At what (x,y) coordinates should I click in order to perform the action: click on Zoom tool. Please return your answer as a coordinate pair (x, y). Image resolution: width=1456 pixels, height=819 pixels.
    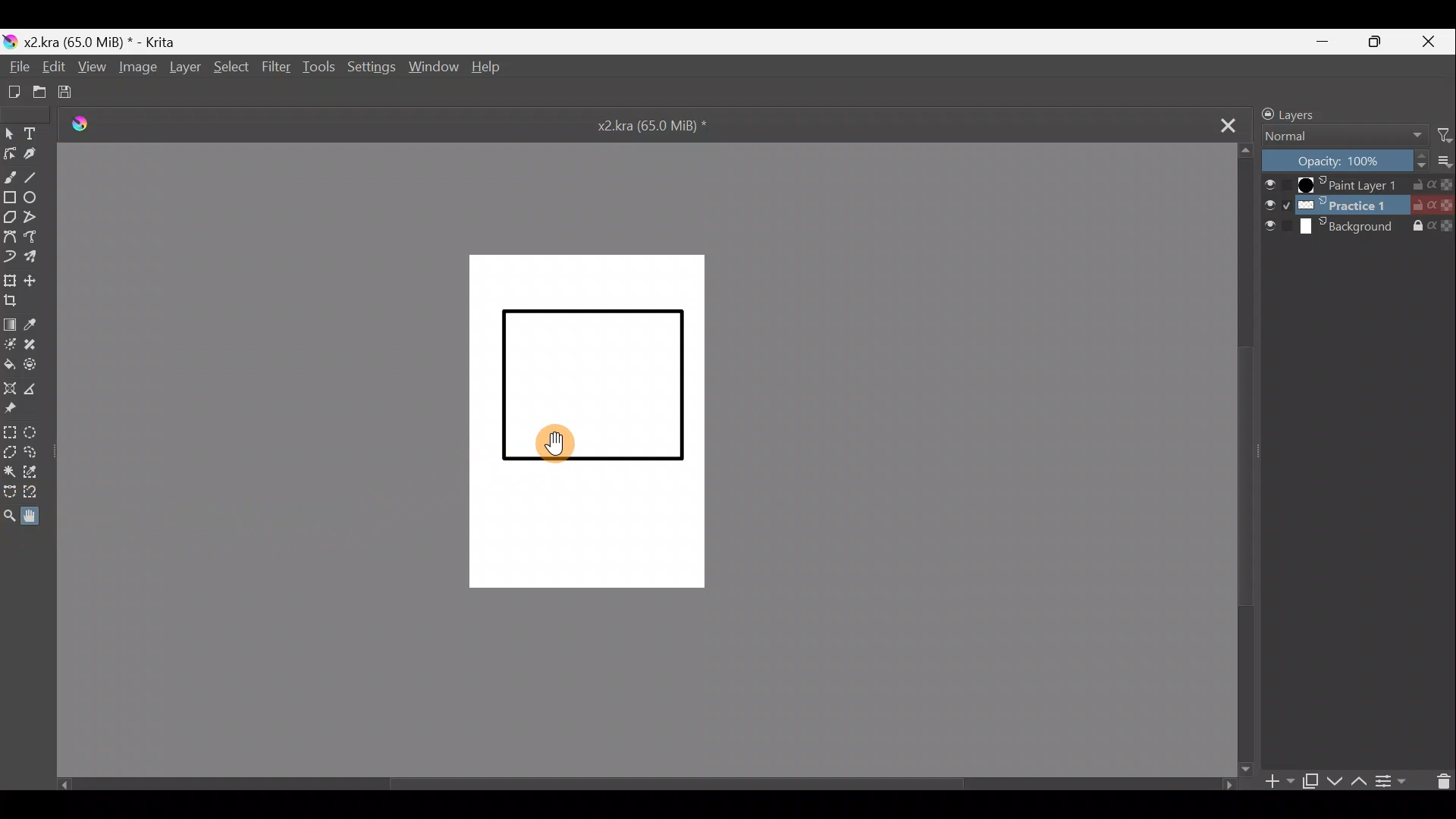
    Looking at the image, I should click on (11, 516).